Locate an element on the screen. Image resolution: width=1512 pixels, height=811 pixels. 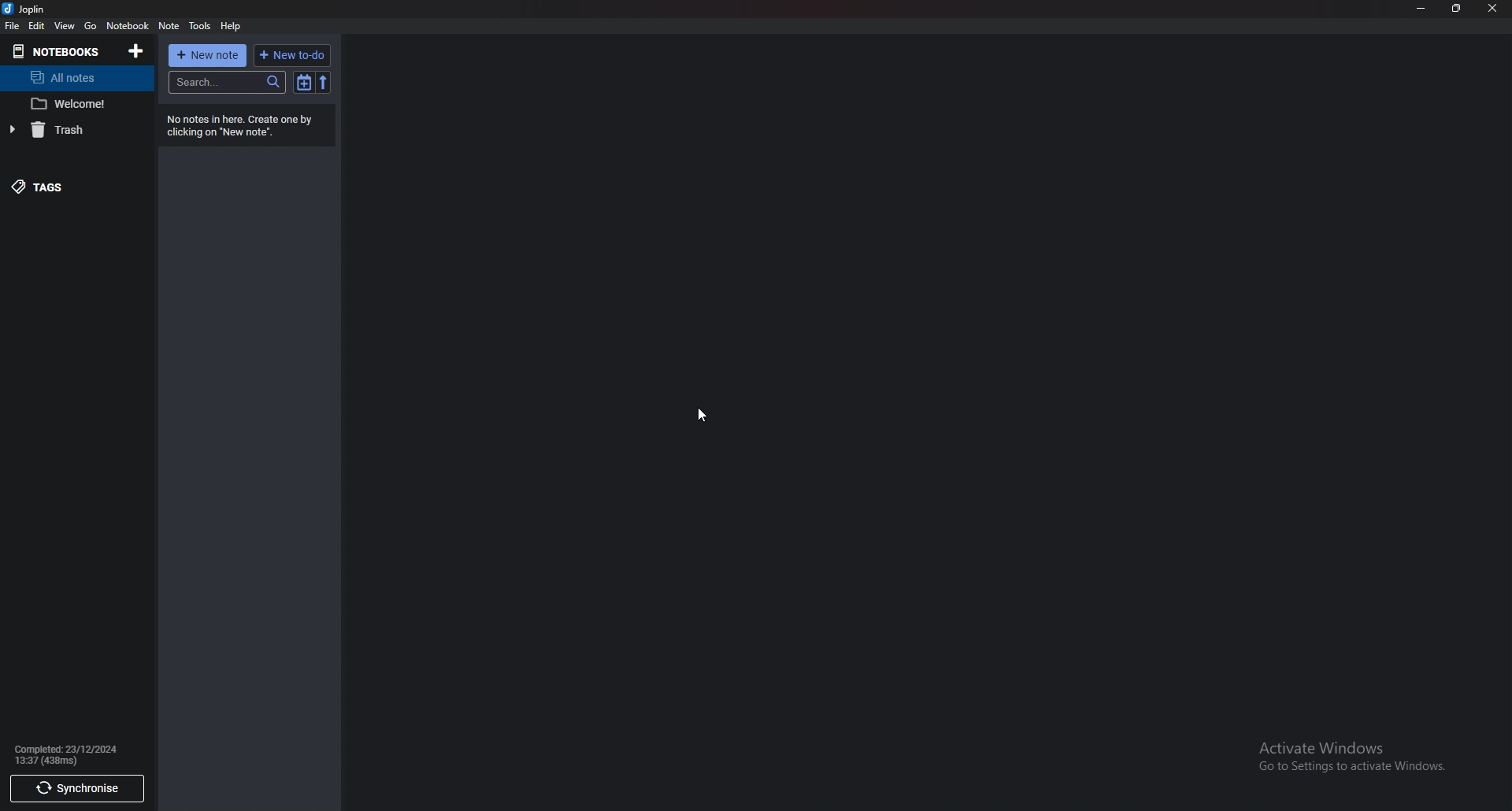
tools is located at coordinates (200, 25).